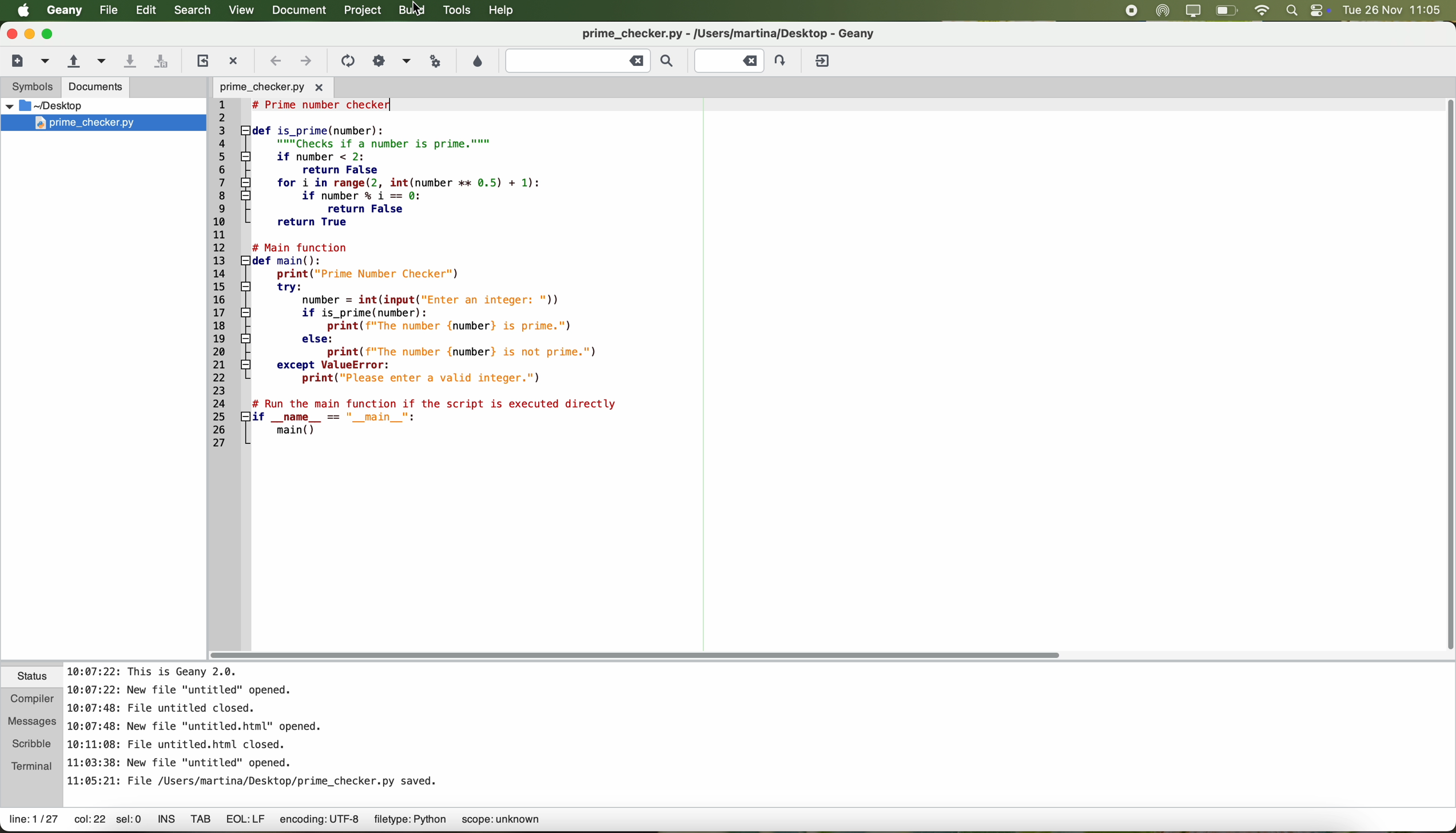 The image size is (1456, 833). I want to click on scroll bar, so click(1437, 375).